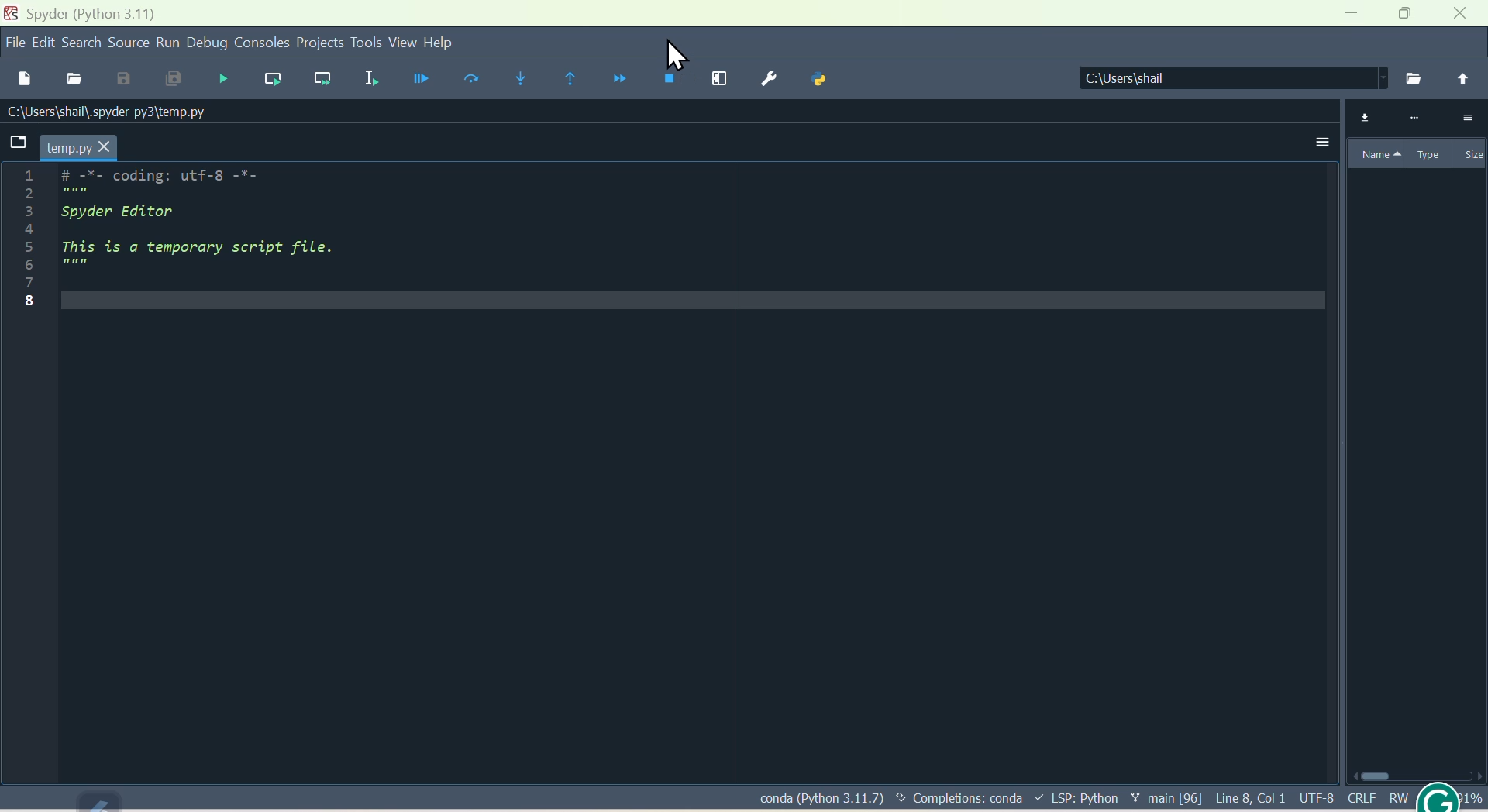 The width and height of the screenshot is (1488, 812). Describe the element at coordinates (268, 75) in the screenshot. I see `Run current line` at that location.